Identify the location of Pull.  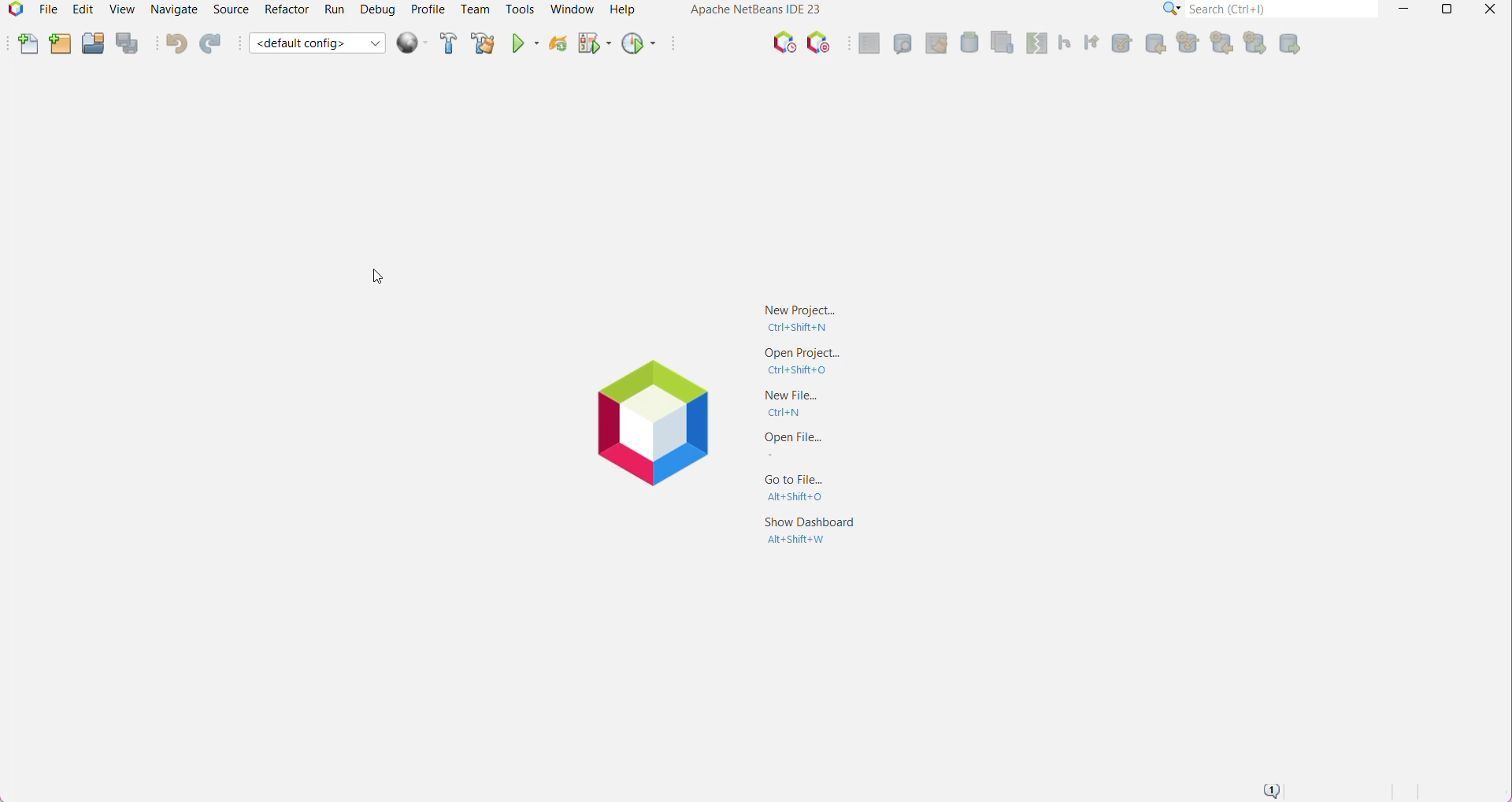
(1185, 43).